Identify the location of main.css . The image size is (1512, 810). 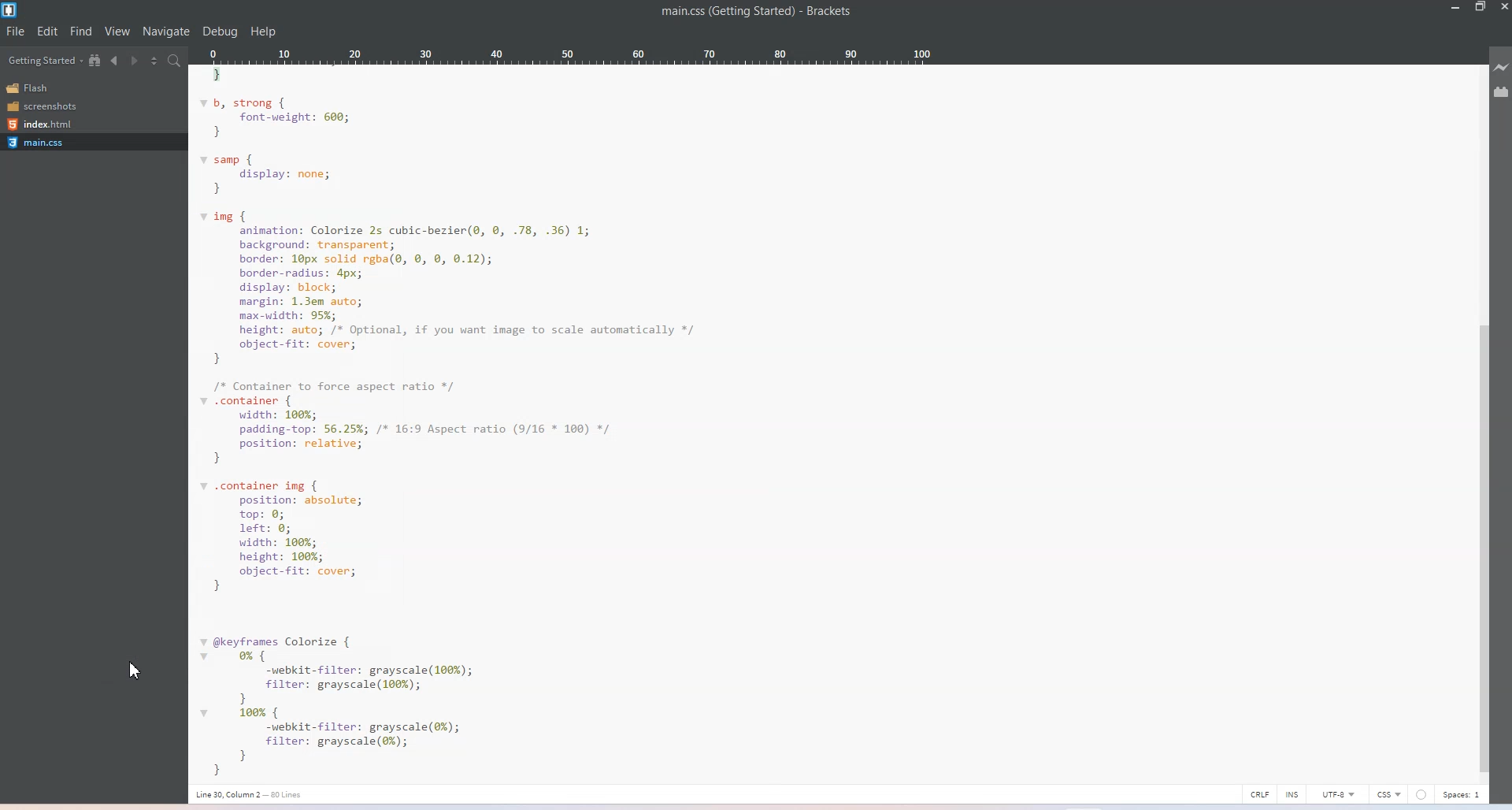
(722, 12).